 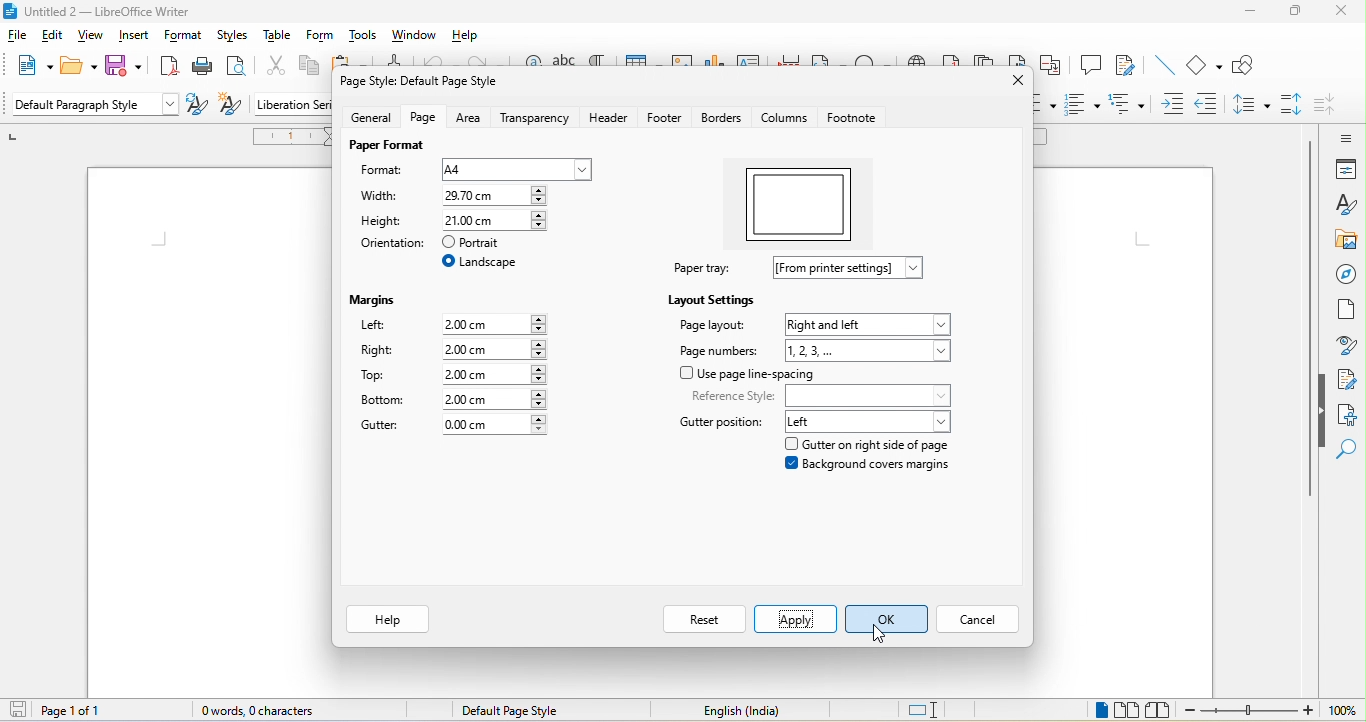 What do you see at coordinates (712, 298) in the screenshot?
I see `layout settings` at bounding box center [712, 298].